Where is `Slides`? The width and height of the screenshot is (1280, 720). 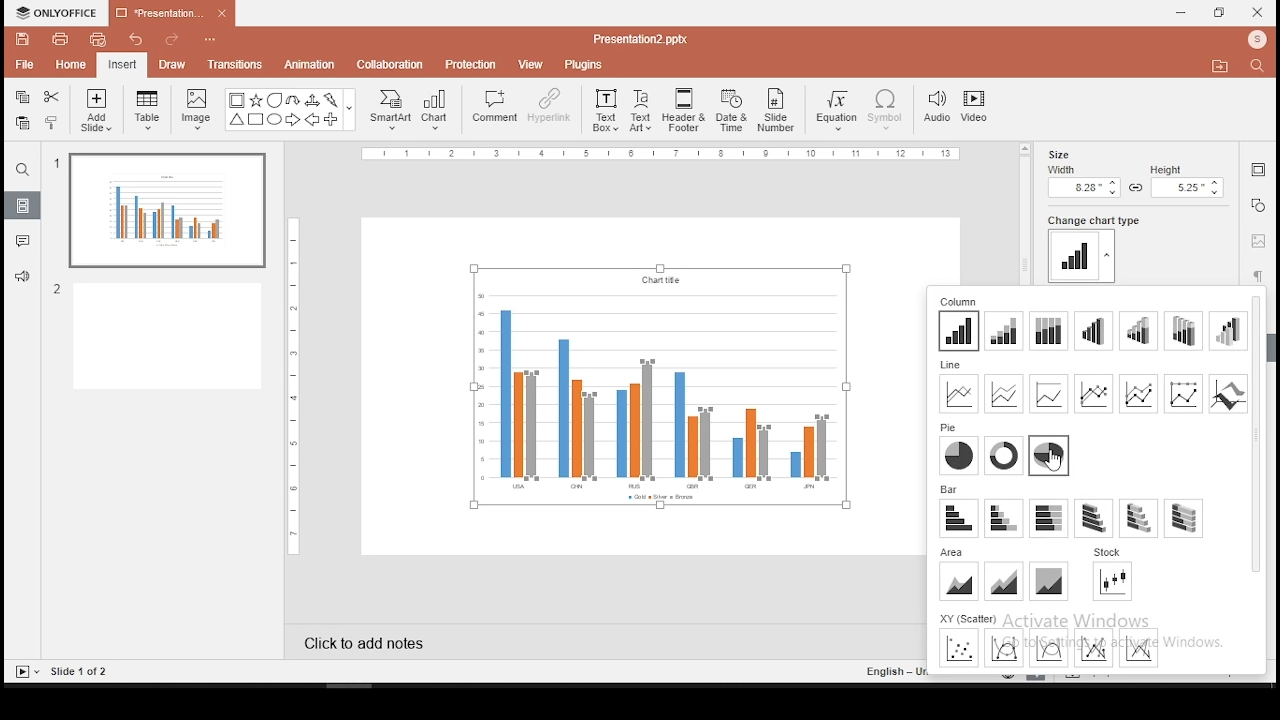 Slides is located at coordinates (62, 672).